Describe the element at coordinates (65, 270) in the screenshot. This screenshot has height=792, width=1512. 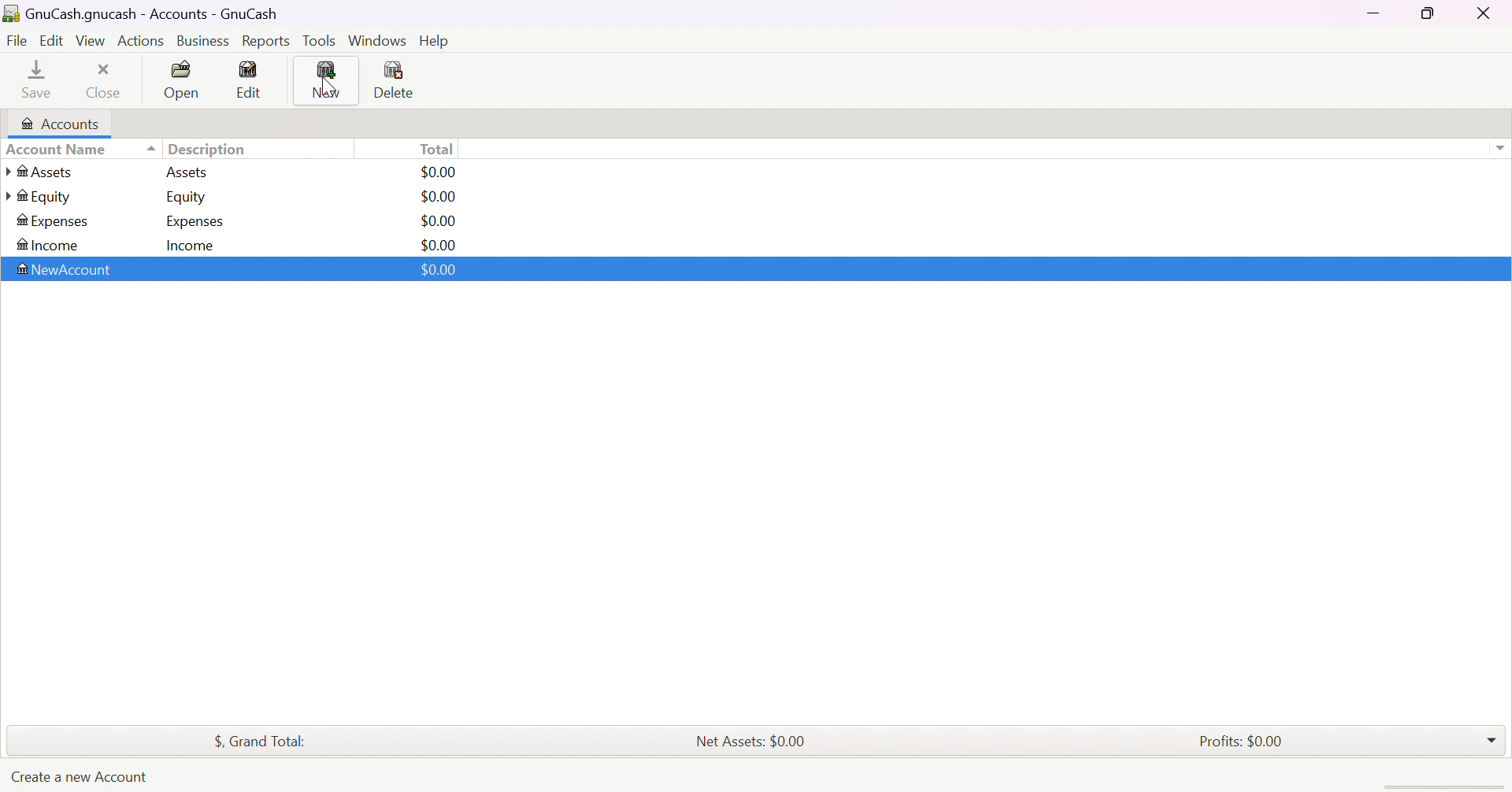
I see `New Account` at that location.